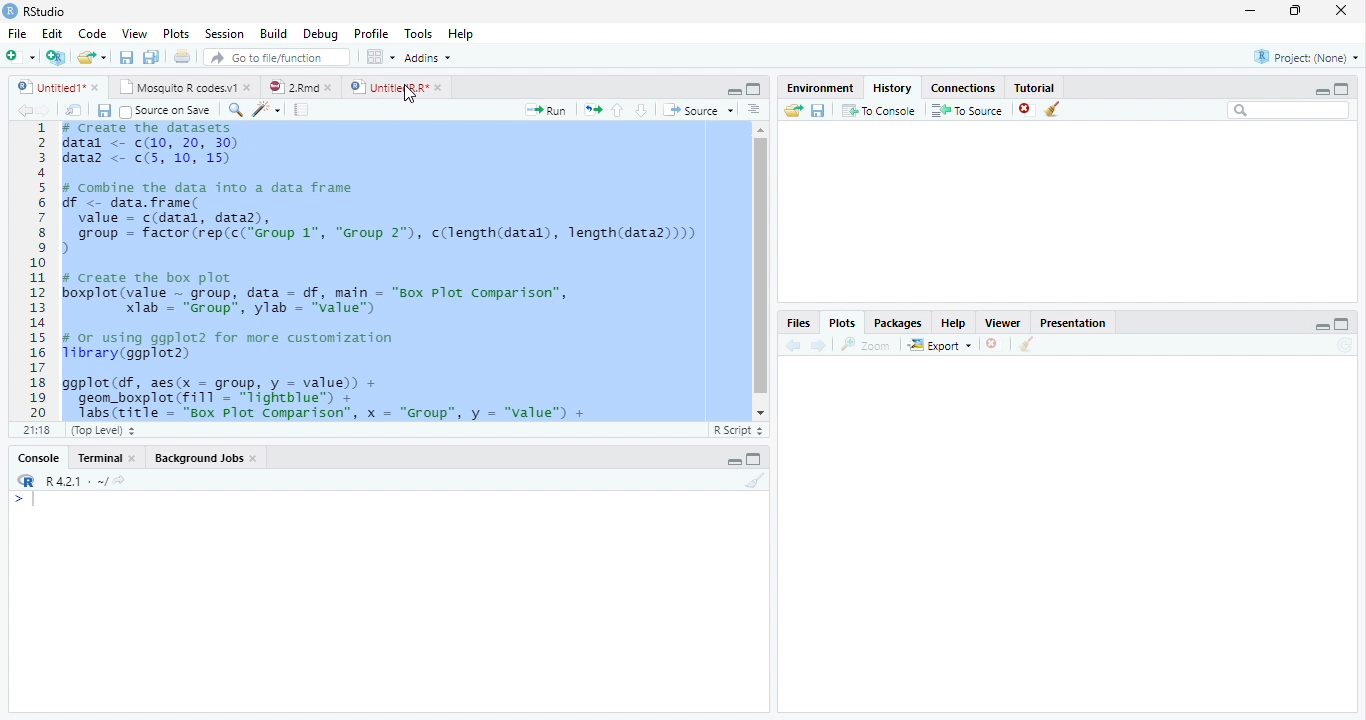 This screenshot has width=1366, height=720. Describe the element at coordinates (1289, 111) in the screenshot. I see `Search bar` at that location.